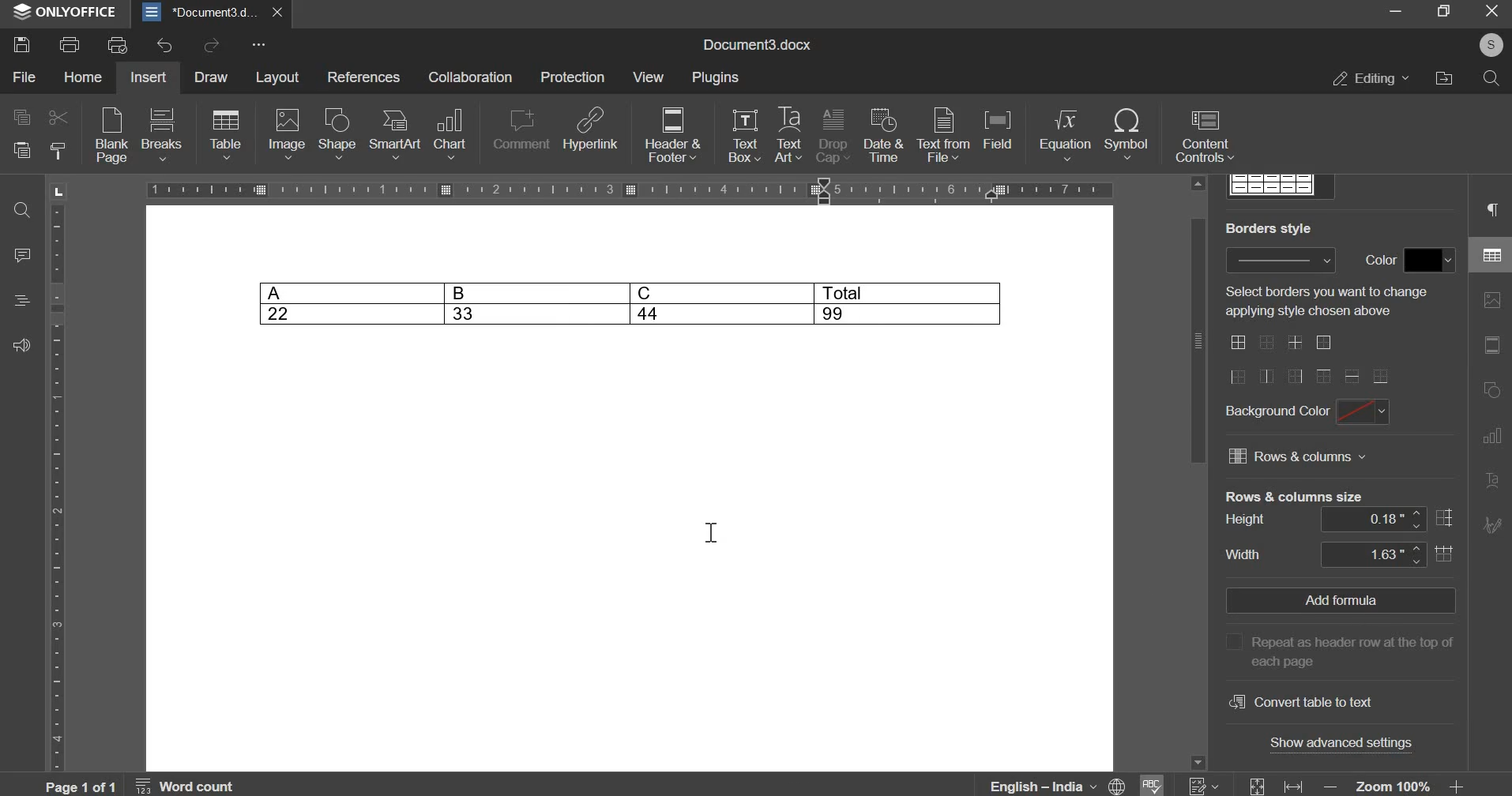  I want to click on copy style, so click(58, 150).